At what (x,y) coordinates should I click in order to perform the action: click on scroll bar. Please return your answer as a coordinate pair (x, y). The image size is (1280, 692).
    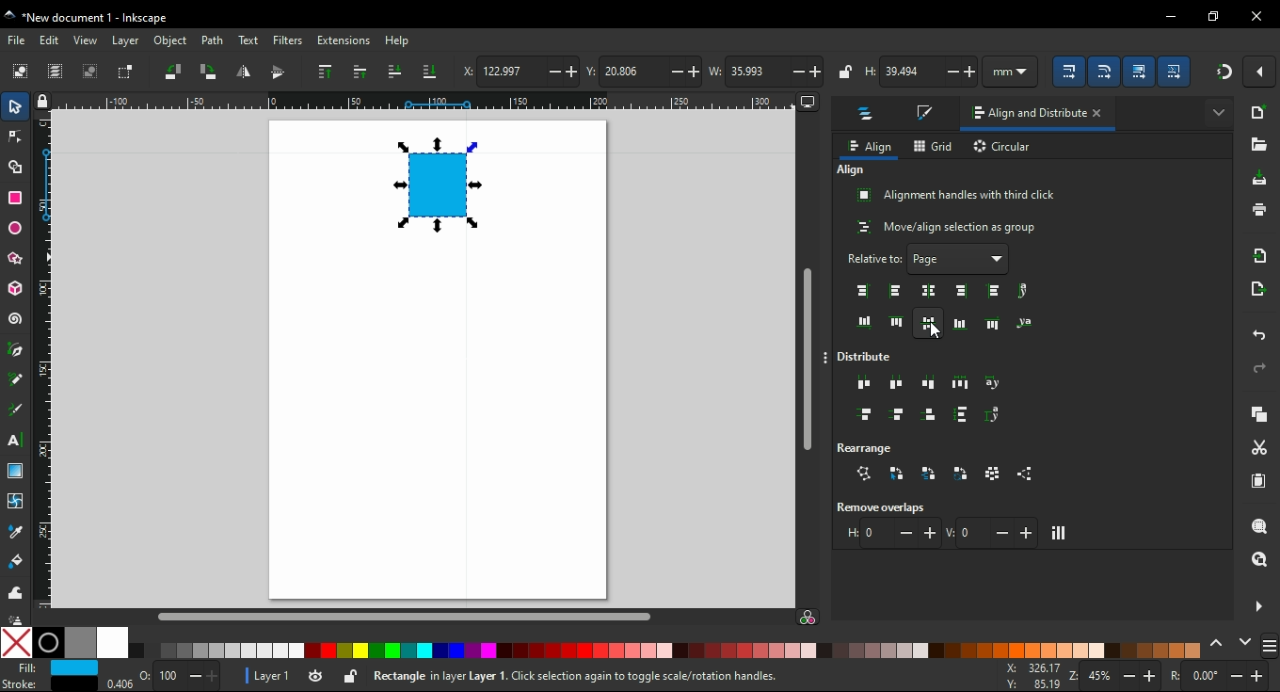
    Looking at the image, I should click on (807, 350).